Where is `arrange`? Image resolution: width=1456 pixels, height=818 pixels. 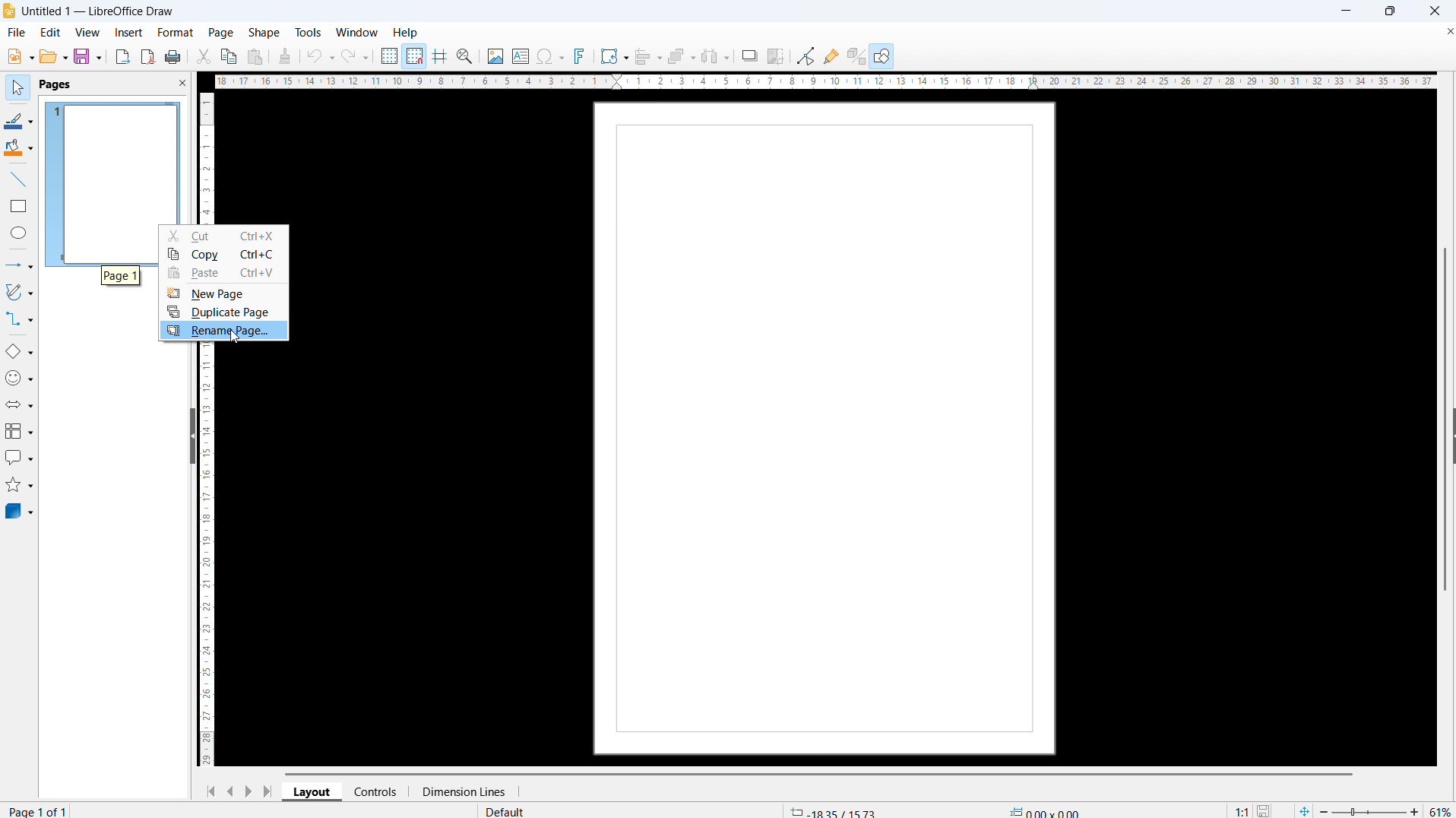
arrange is located at coordinates (680, 56).